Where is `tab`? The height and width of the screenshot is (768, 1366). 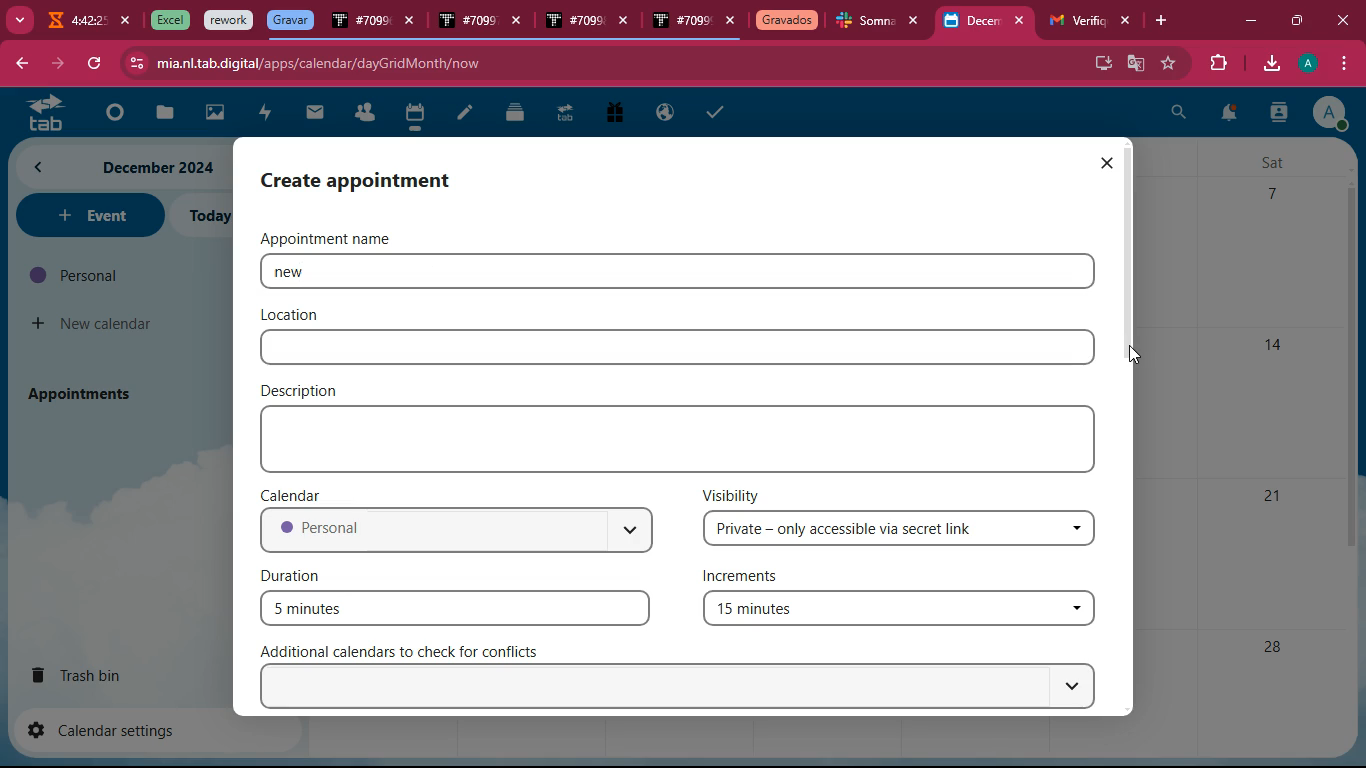
tab is located at coordinates (1074, 21).